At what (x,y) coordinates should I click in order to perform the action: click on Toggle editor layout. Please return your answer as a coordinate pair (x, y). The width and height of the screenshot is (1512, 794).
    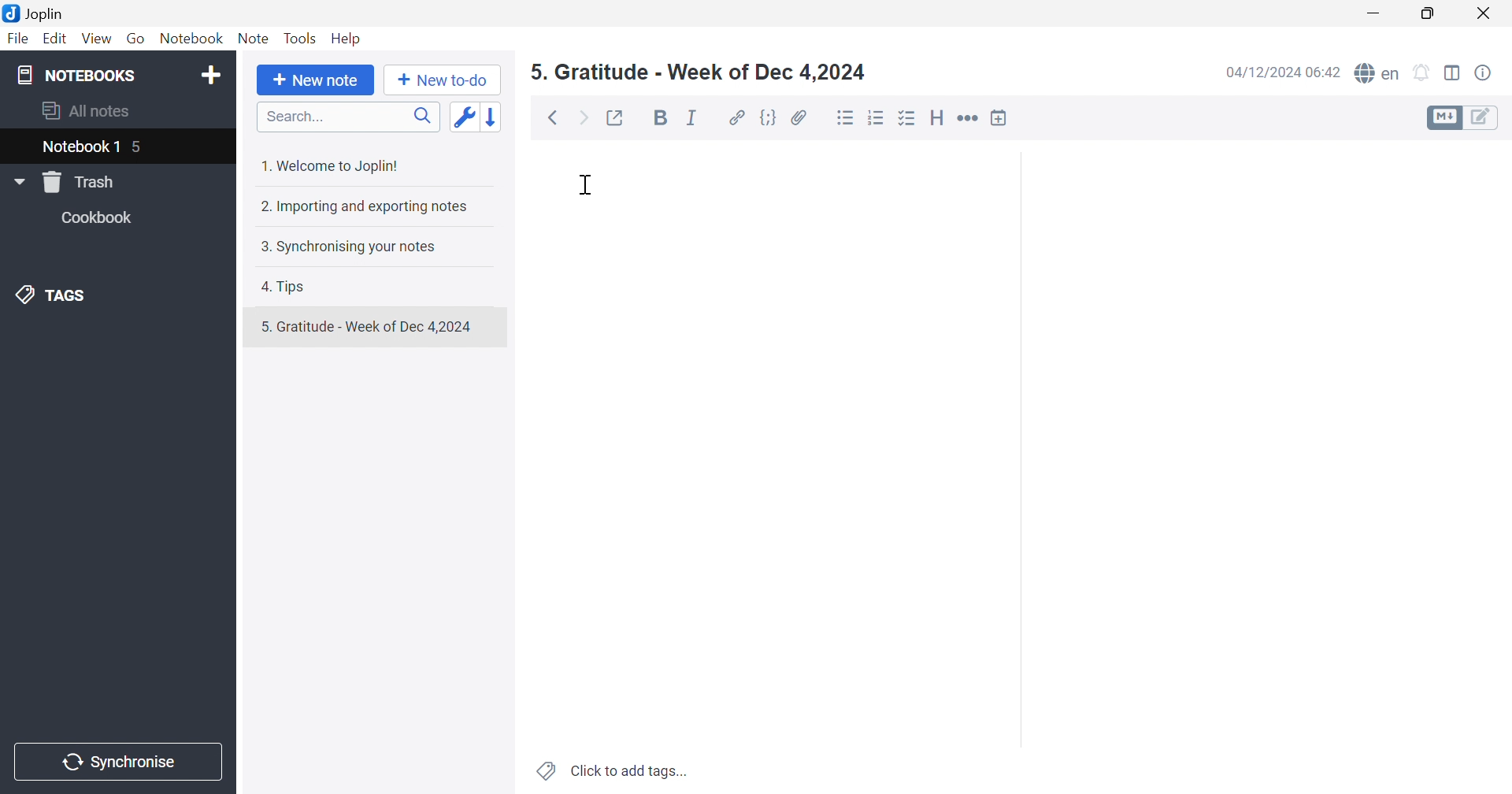
    Looking at the image, I should click on (1453, 73).